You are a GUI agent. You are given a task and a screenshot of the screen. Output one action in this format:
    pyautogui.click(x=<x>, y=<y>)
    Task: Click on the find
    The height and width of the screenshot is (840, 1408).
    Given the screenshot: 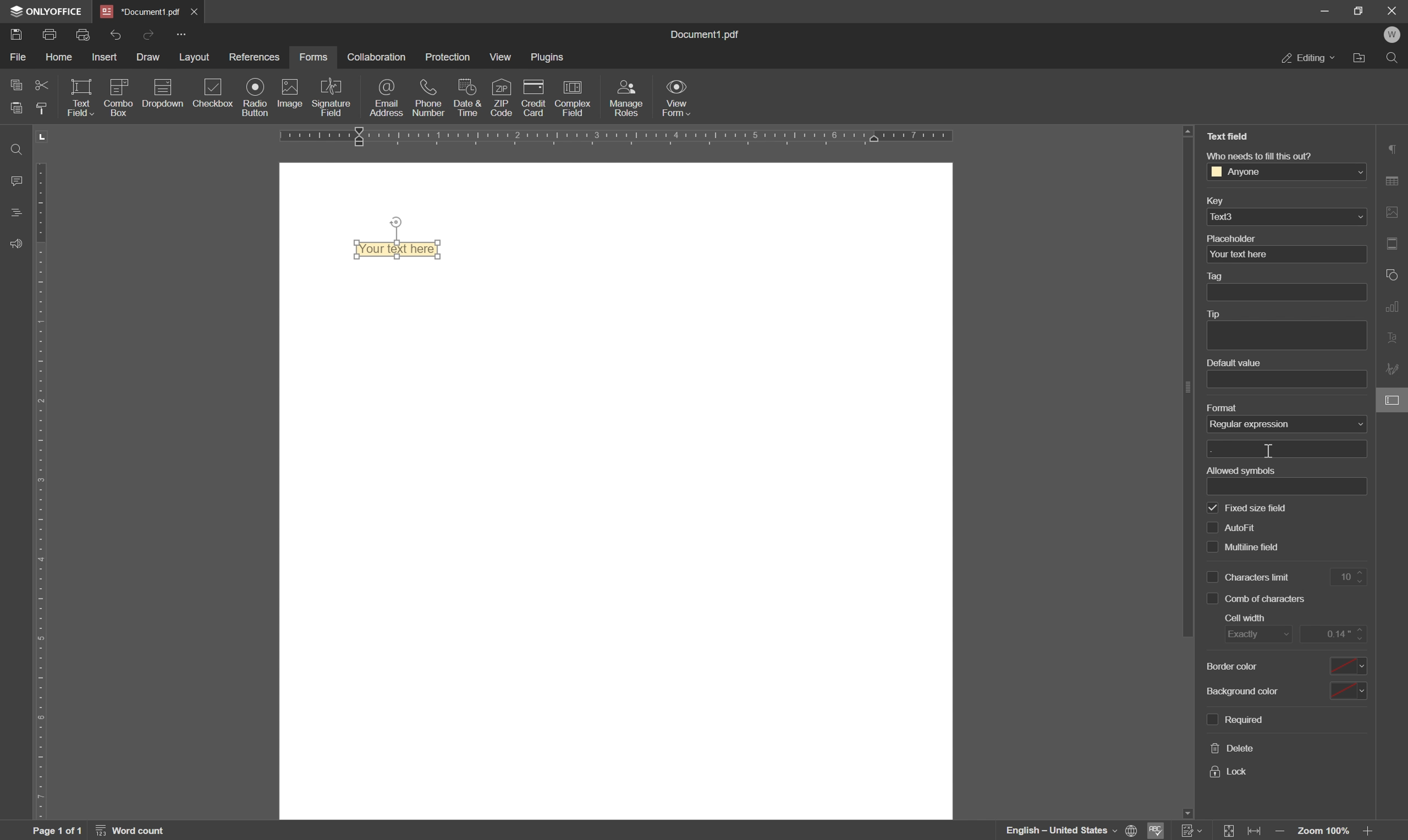 What is the action you would take?
    pyautogui.click(x=13, y=148)
    